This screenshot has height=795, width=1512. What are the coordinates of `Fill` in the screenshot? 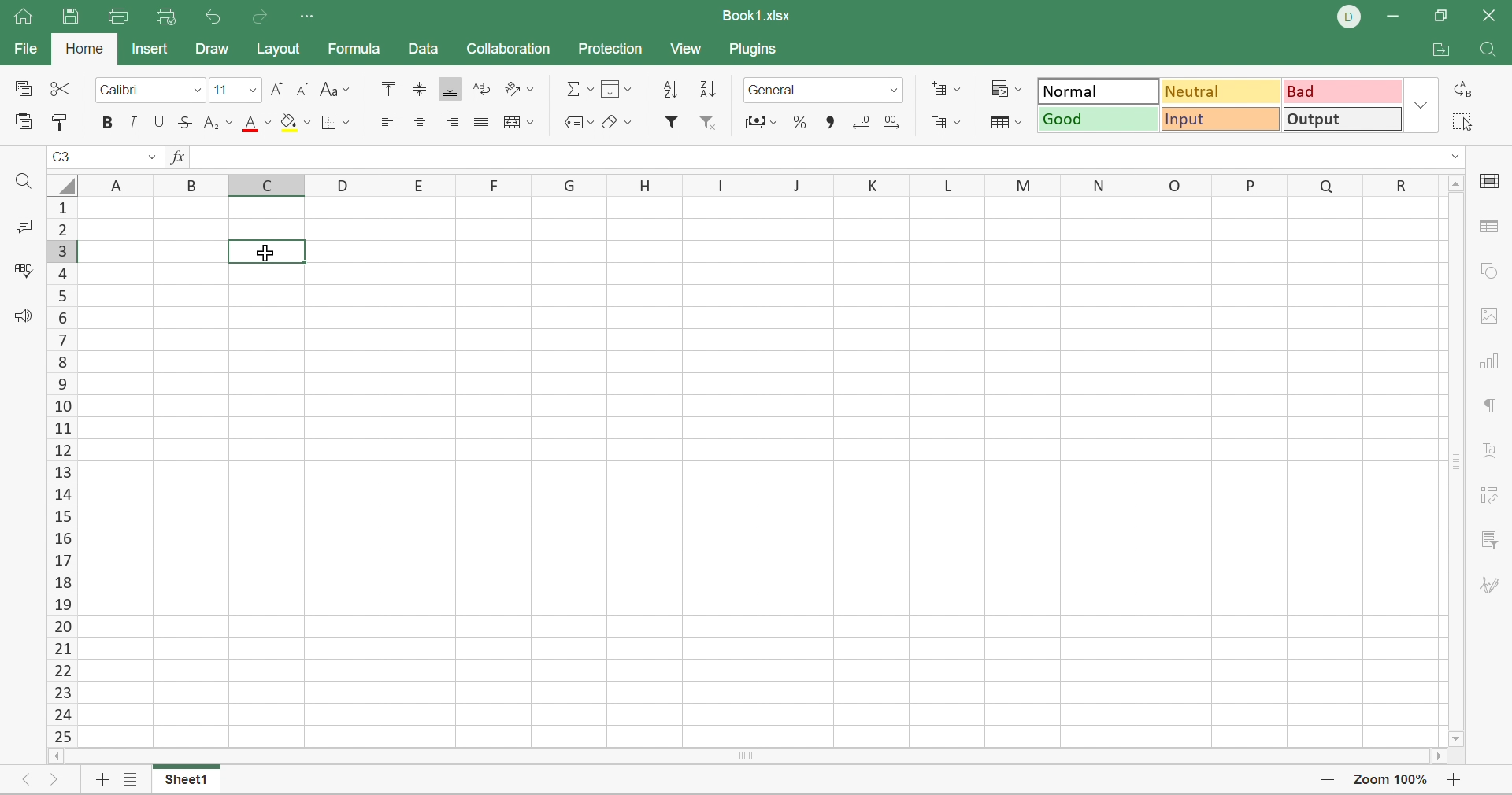 It's located at (618, 87).